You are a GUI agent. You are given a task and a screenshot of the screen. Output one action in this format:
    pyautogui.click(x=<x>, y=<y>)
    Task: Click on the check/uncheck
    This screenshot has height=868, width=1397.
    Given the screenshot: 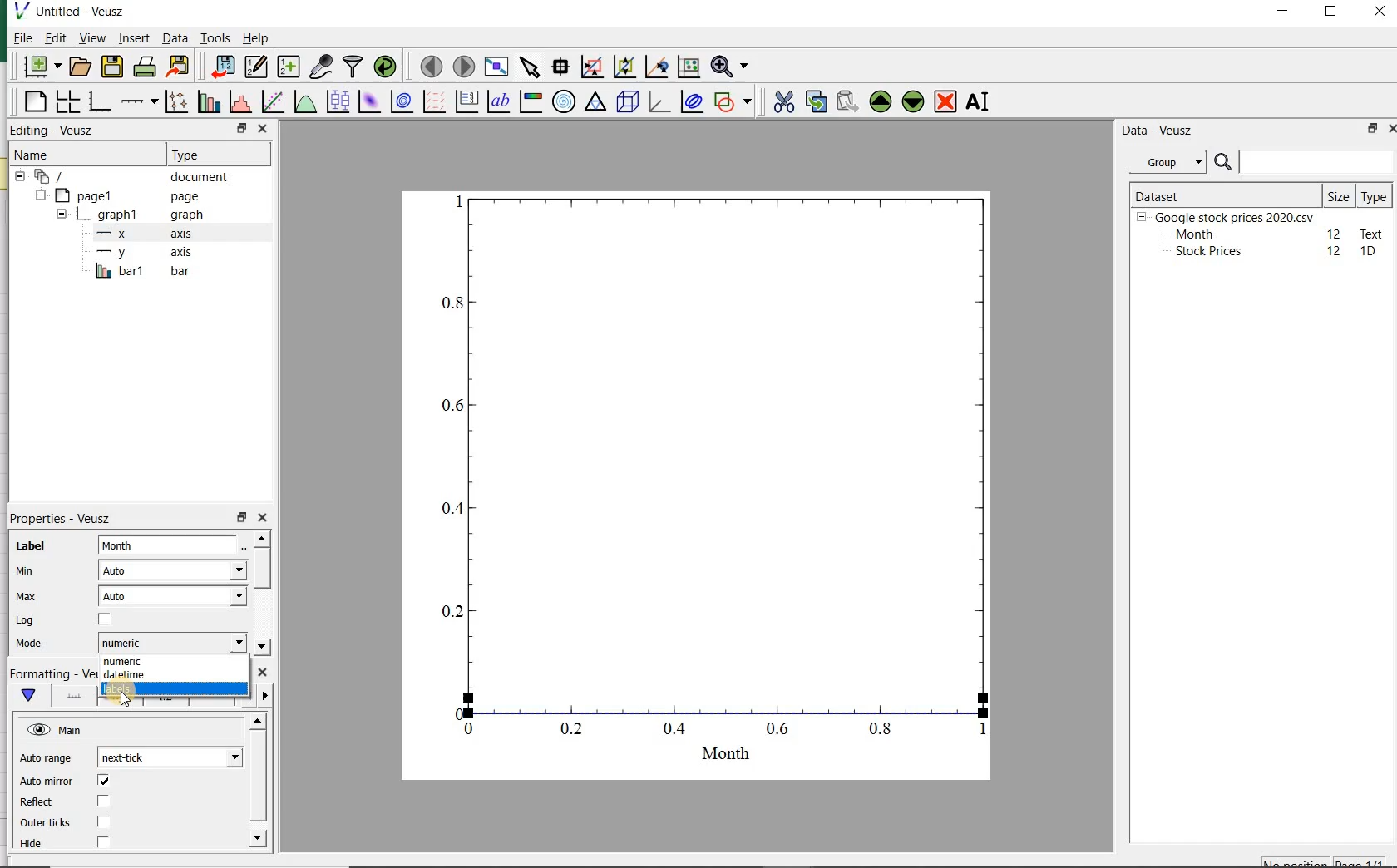 What is the action you would take?
    pyautogui.click(x=102, y=843)
    